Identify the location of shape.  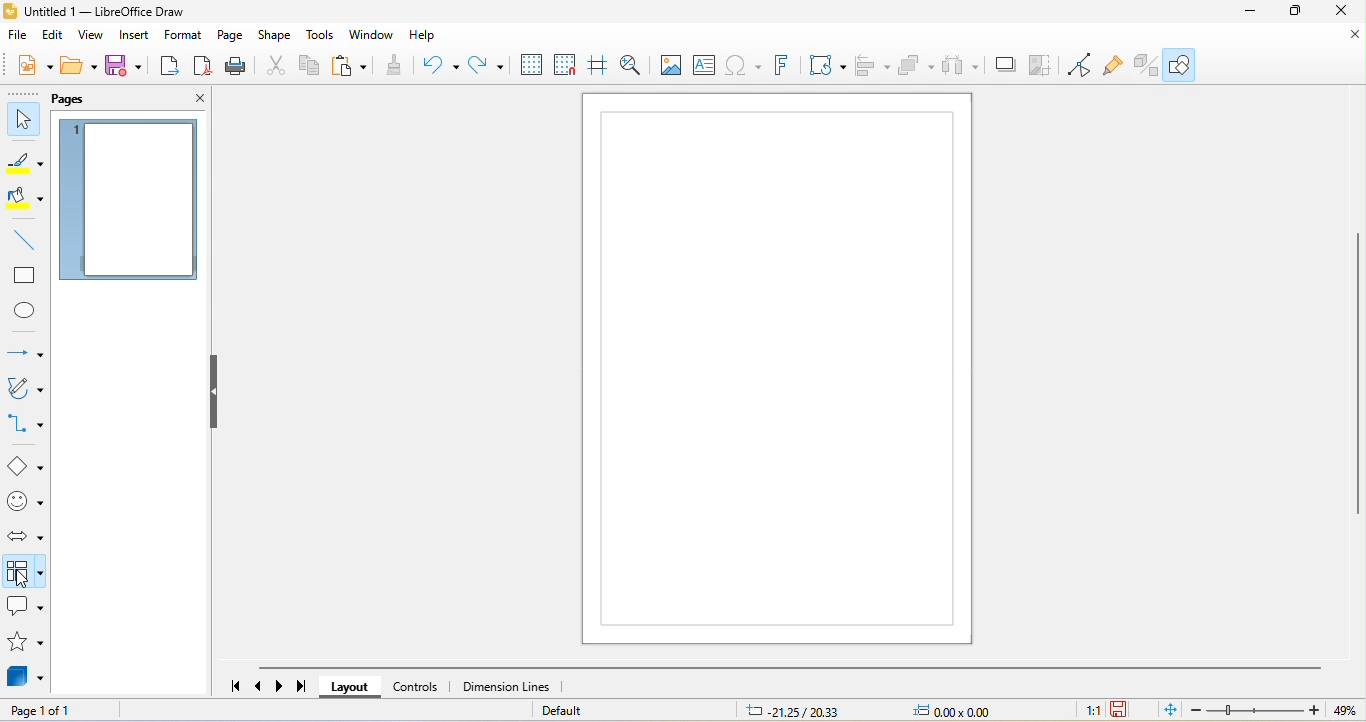
(276, 36).